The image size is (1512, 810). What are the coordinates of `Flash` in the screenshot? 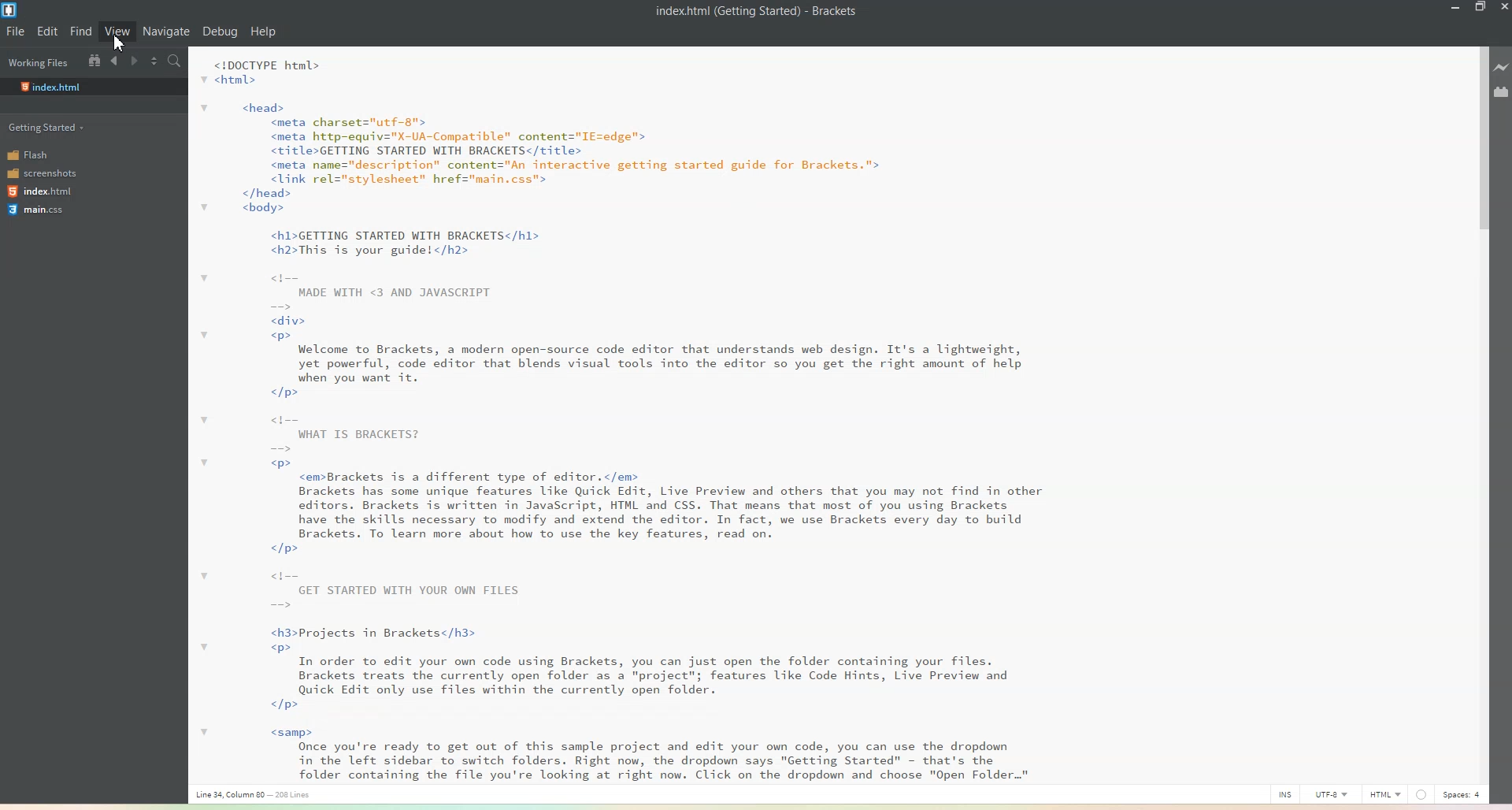 It's located at (31, 156).